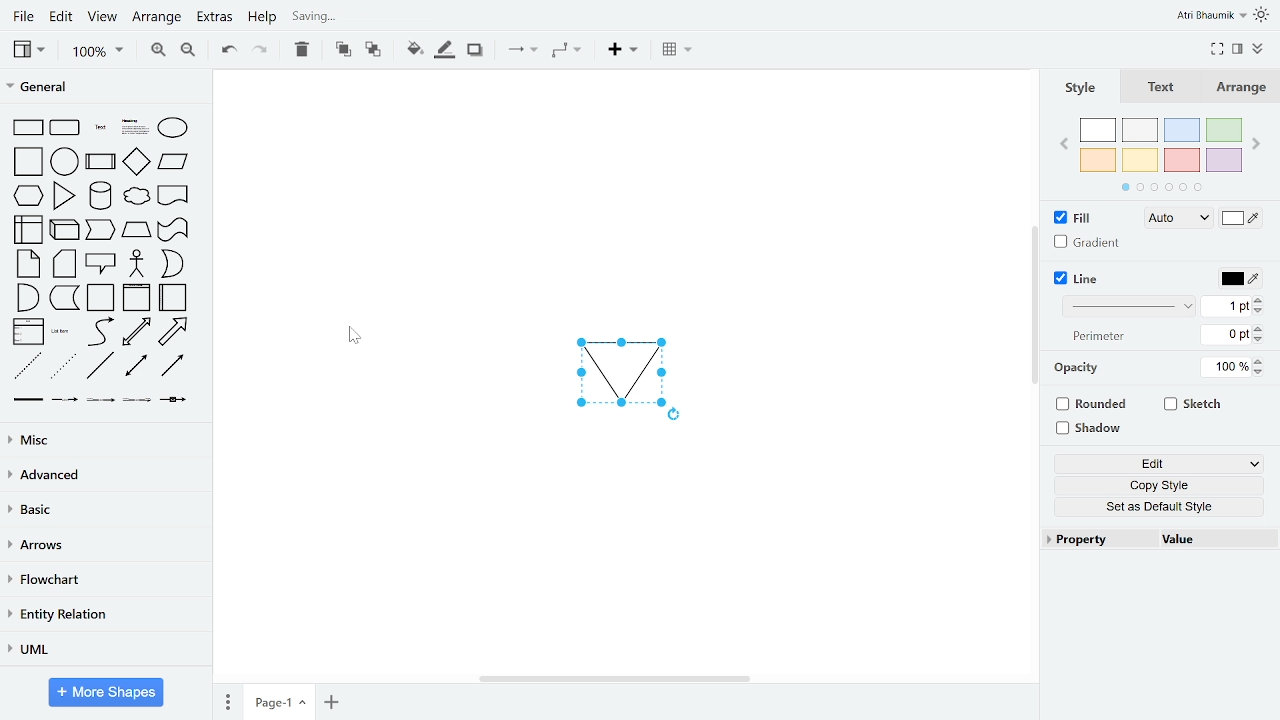 The image size is (1280, 720). I want to click on pages in color, so click(1161, 187).